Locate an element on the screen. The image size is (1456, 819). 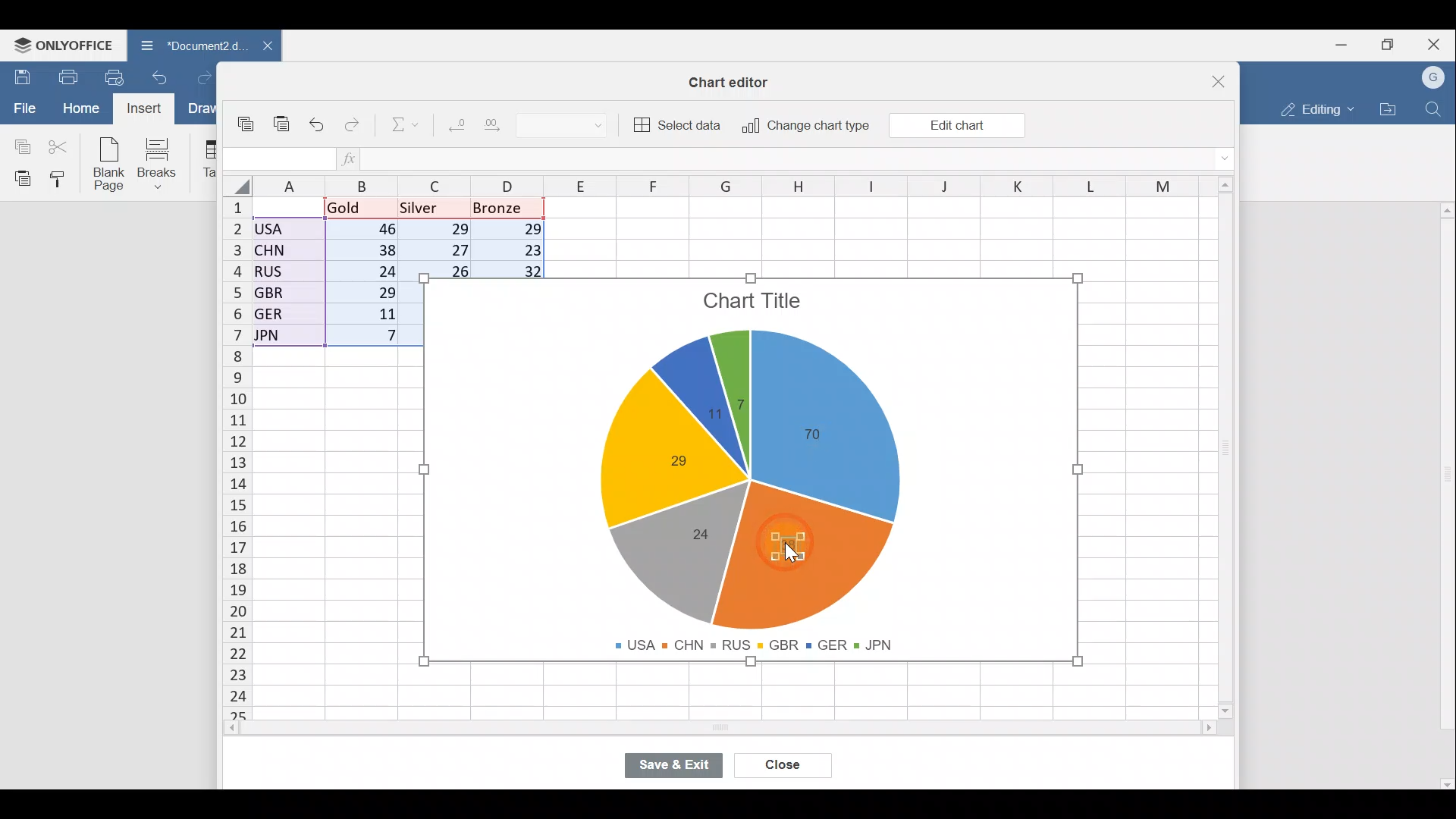
Copy style is located at coordinates (64, 178).